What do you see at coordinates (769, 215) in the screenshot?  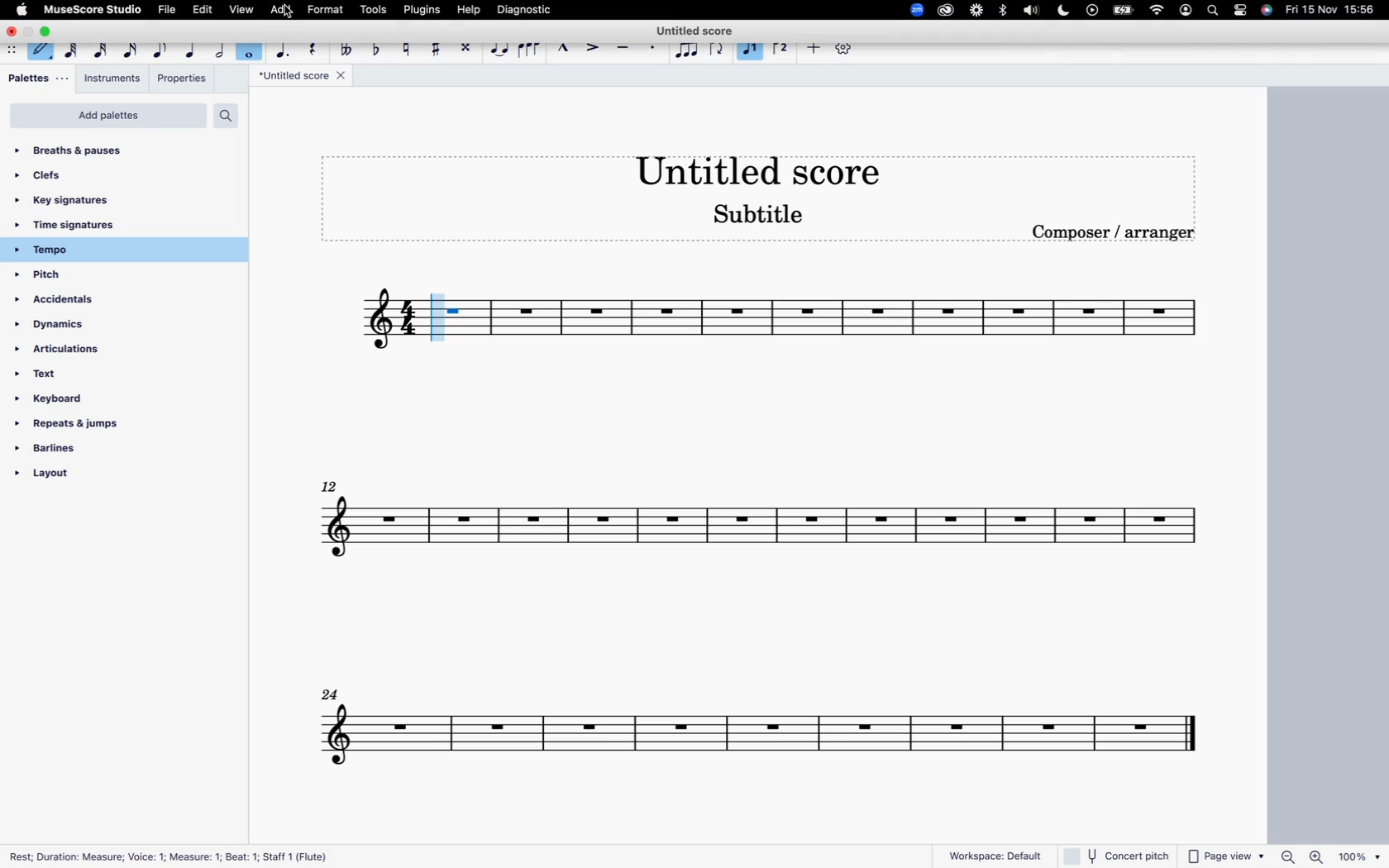 I see `score subtitle` at bounding box center [769, 215].